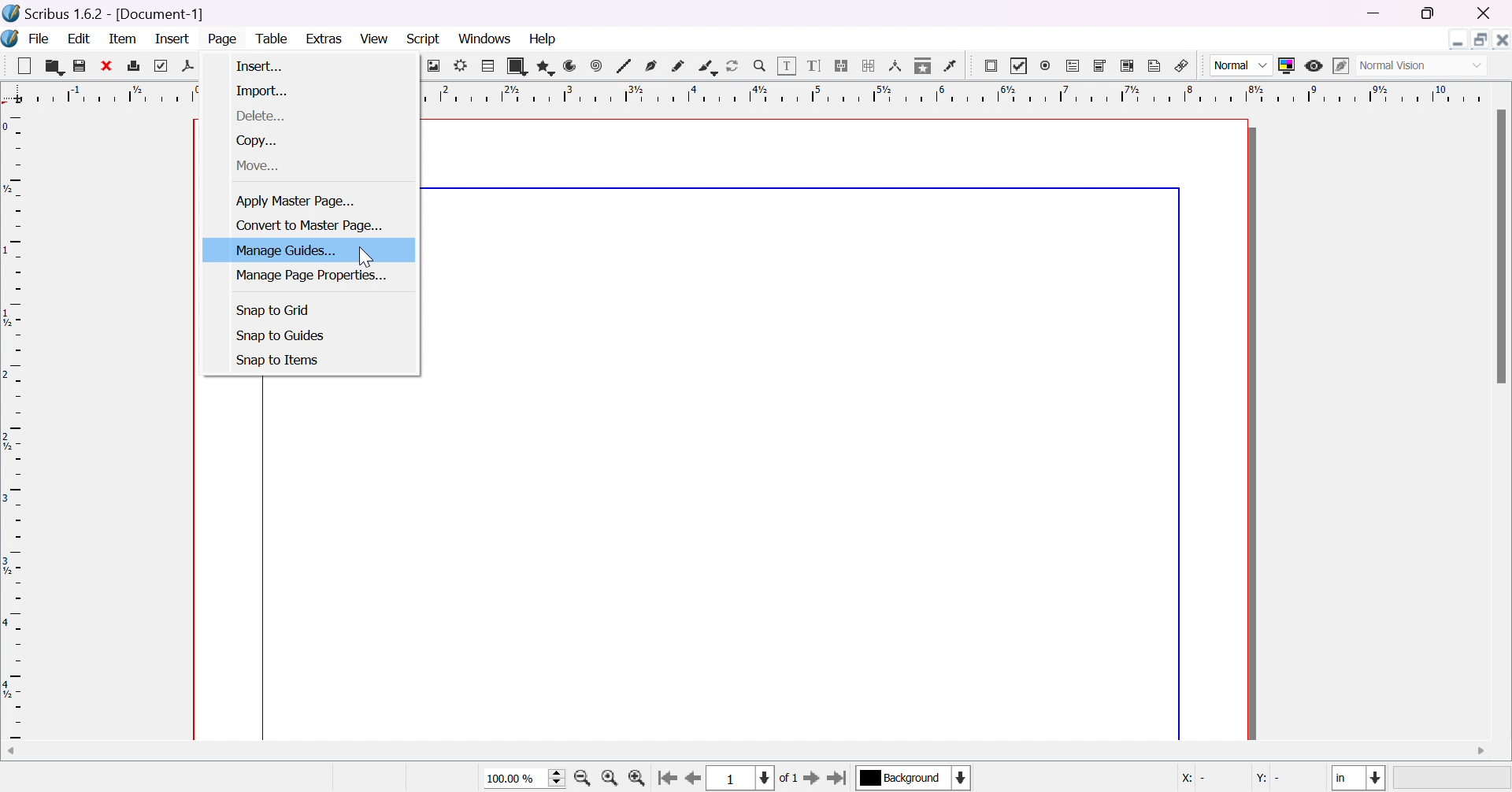 This screenshot has height=792, width=1512. Describe the element at coordinates (276, 361) in the screenshot. I see `snap to items` at that location.